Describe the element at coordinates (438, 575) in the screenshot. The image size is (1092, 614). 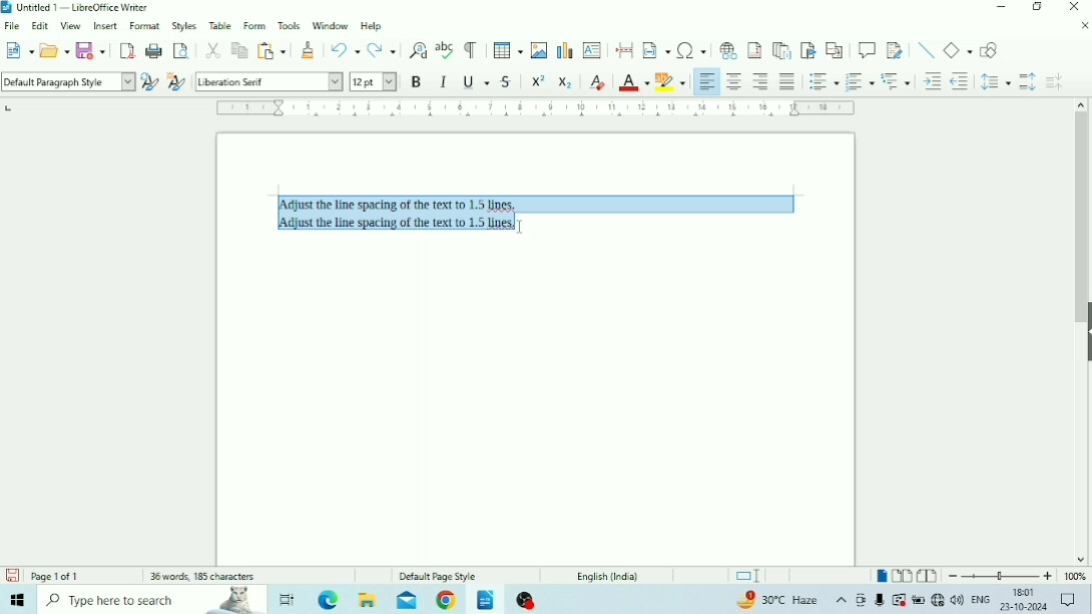
I see `Default Page Style` at that location.